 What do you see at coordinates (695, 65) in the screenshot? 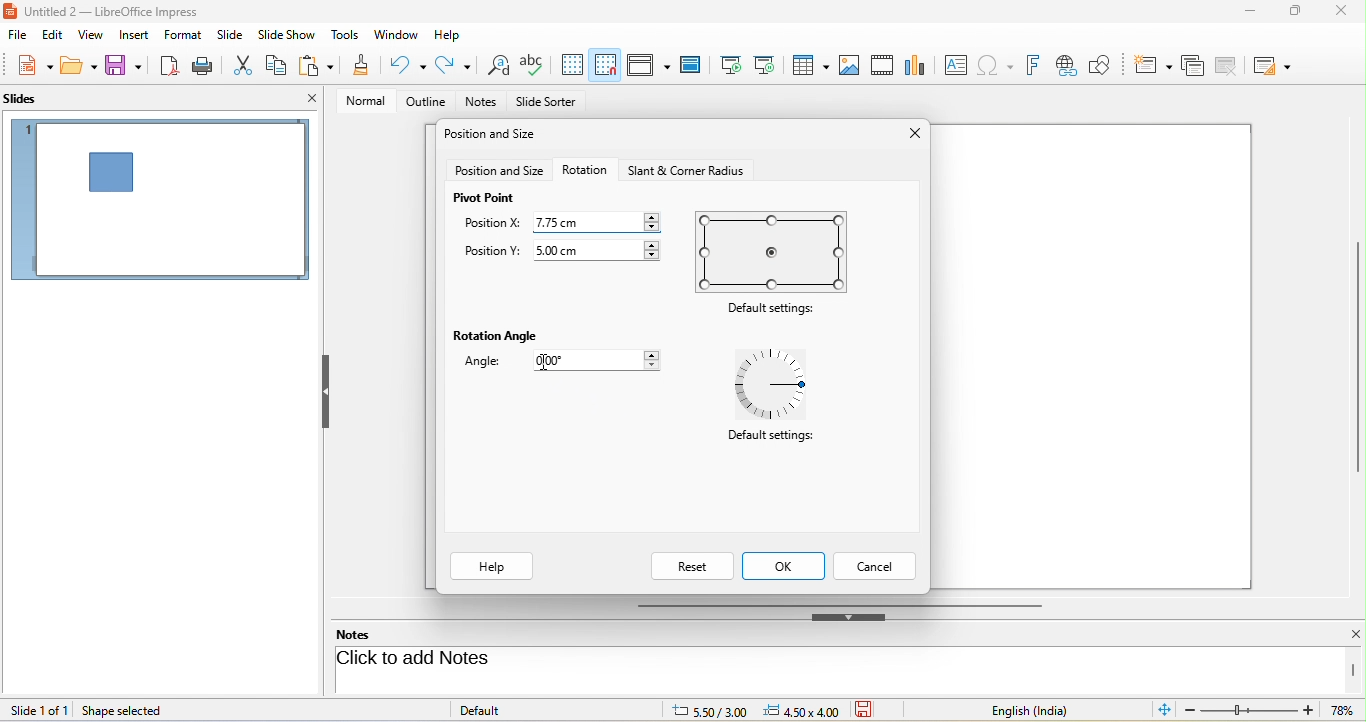
I see `master slide` at bounding box center [695, 65].